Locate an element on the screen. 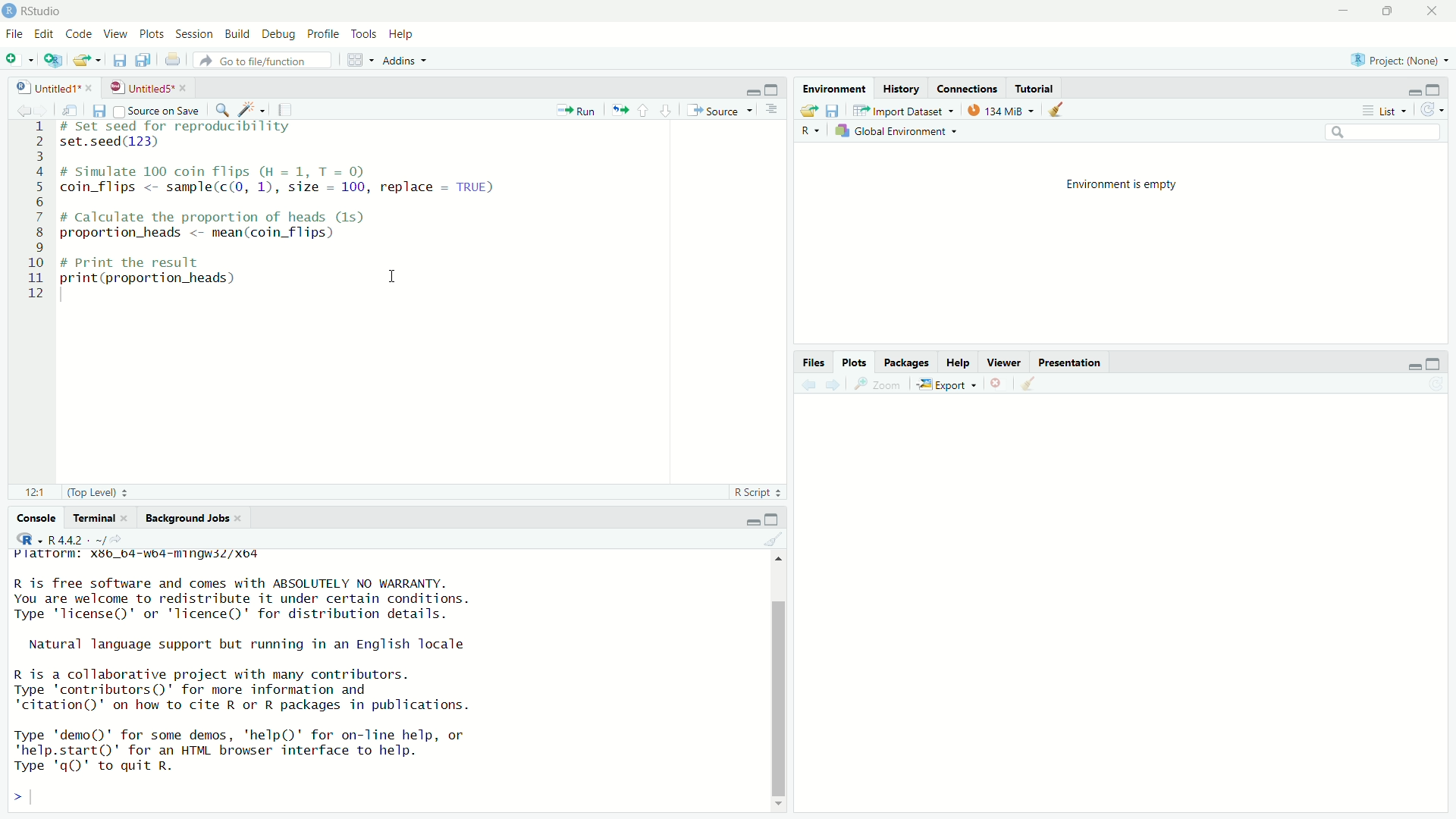 The height and width of the screenshot is (819, 1456). Tutorial is located at coordinates (1034, 86).